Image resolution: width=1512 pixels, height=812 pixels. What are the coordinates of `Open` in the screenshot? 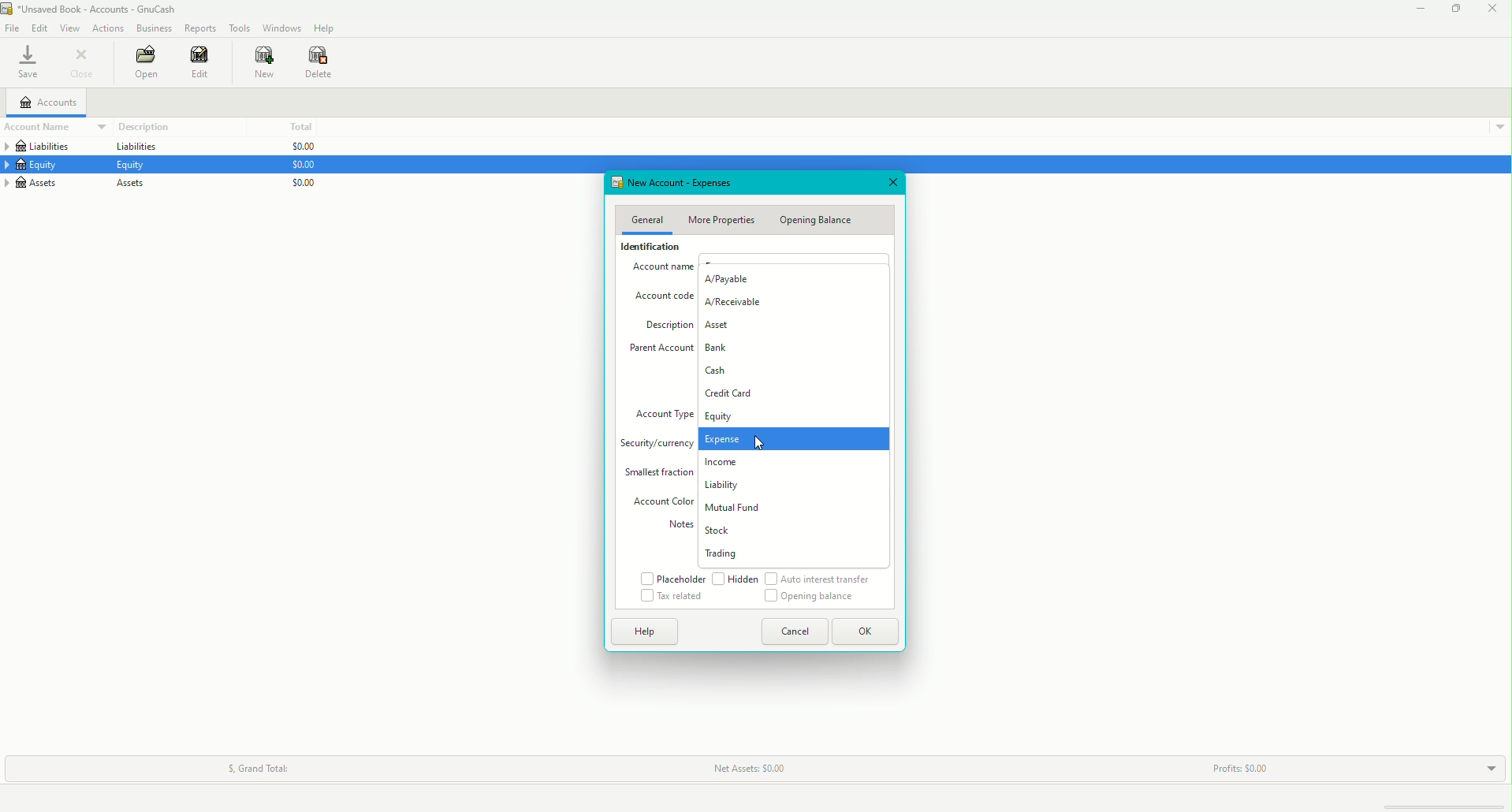 It's located at (142, 63).